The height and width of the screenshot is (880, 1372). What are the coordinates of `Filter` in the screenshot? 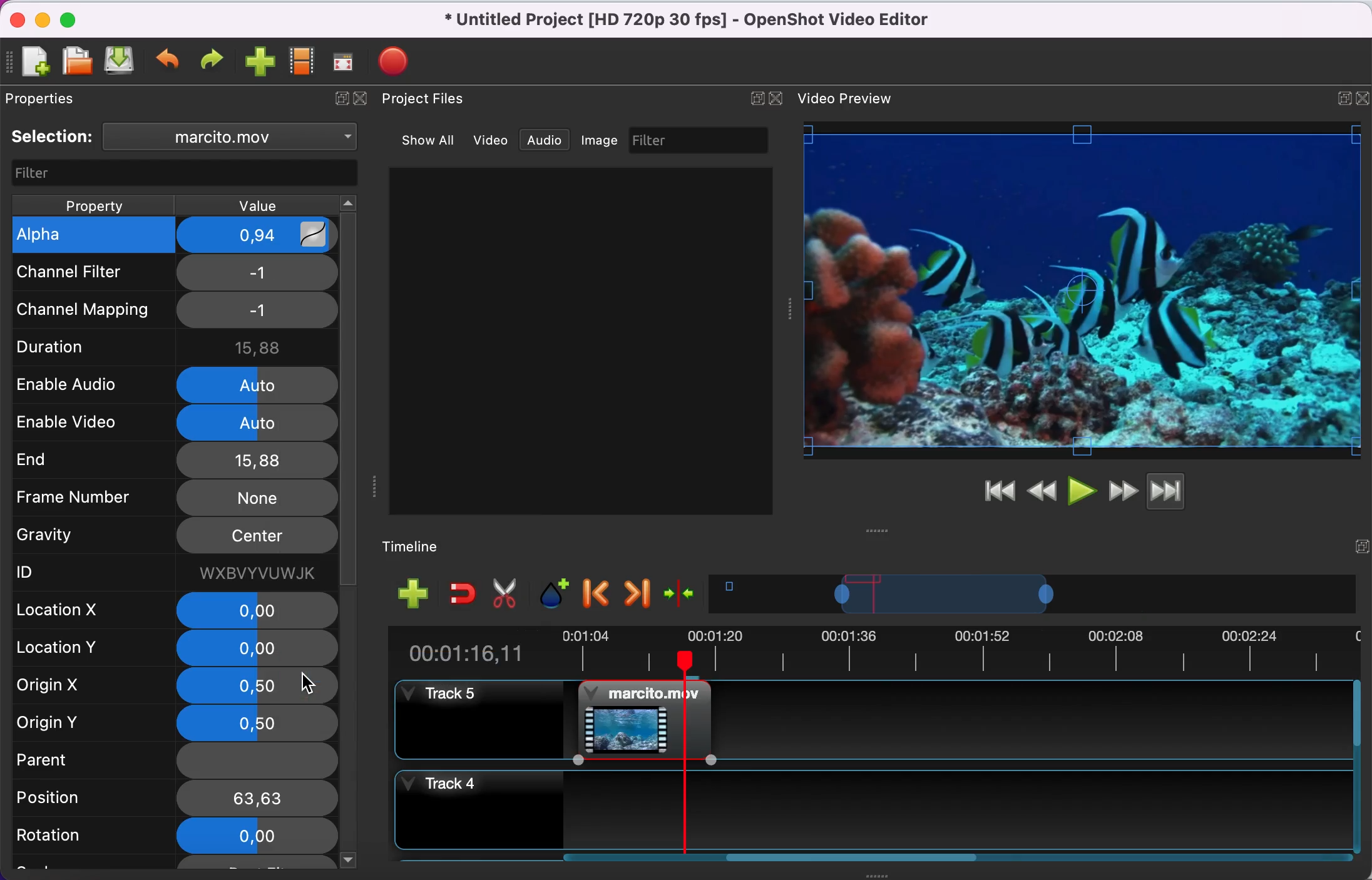 It's located at (175, 173).